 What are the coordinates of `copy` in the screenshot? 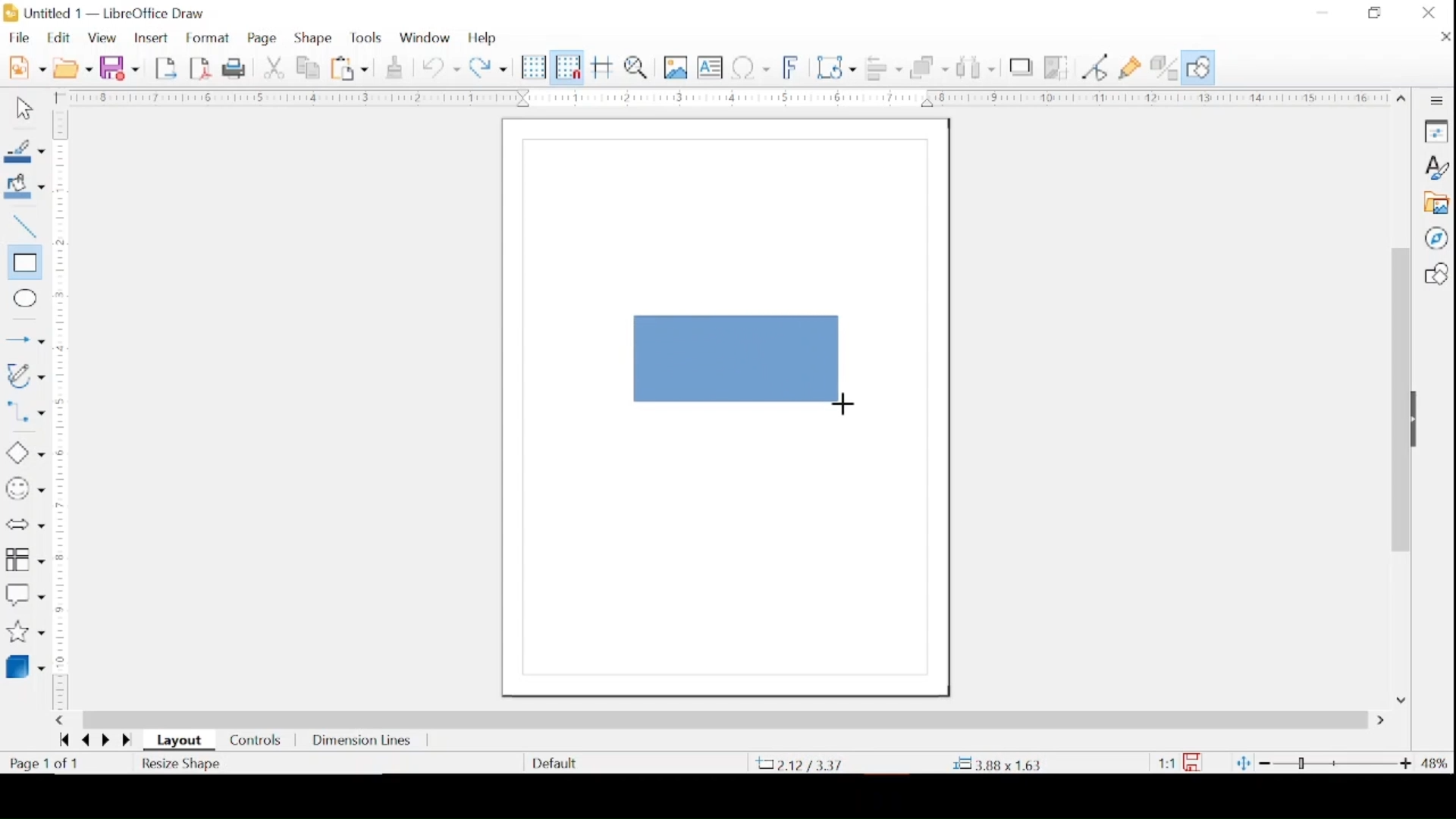 It's located at (310, 68).